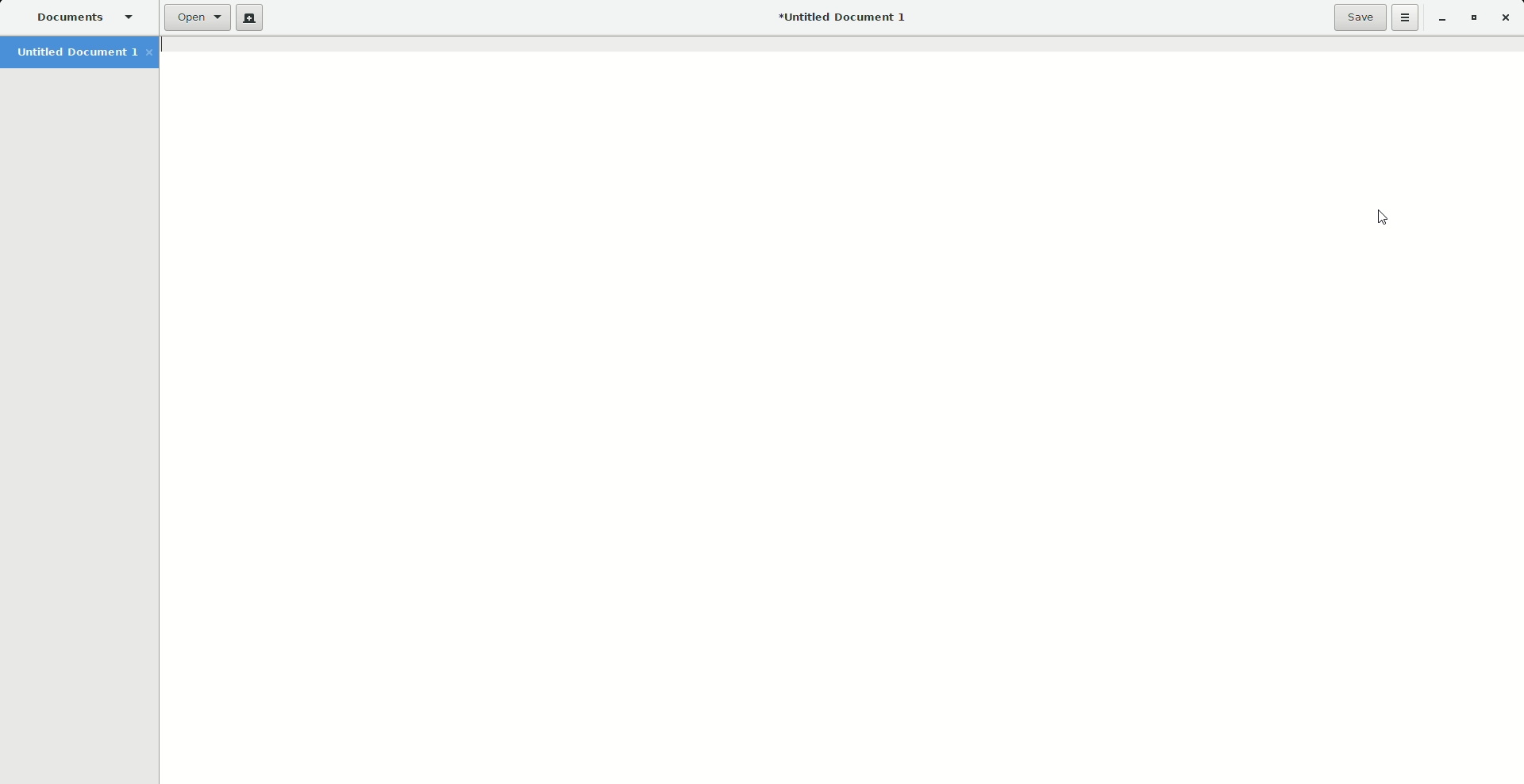 The width and height of the screenshot is (1524, 784). I want to click on Save, so click(1359, 17).